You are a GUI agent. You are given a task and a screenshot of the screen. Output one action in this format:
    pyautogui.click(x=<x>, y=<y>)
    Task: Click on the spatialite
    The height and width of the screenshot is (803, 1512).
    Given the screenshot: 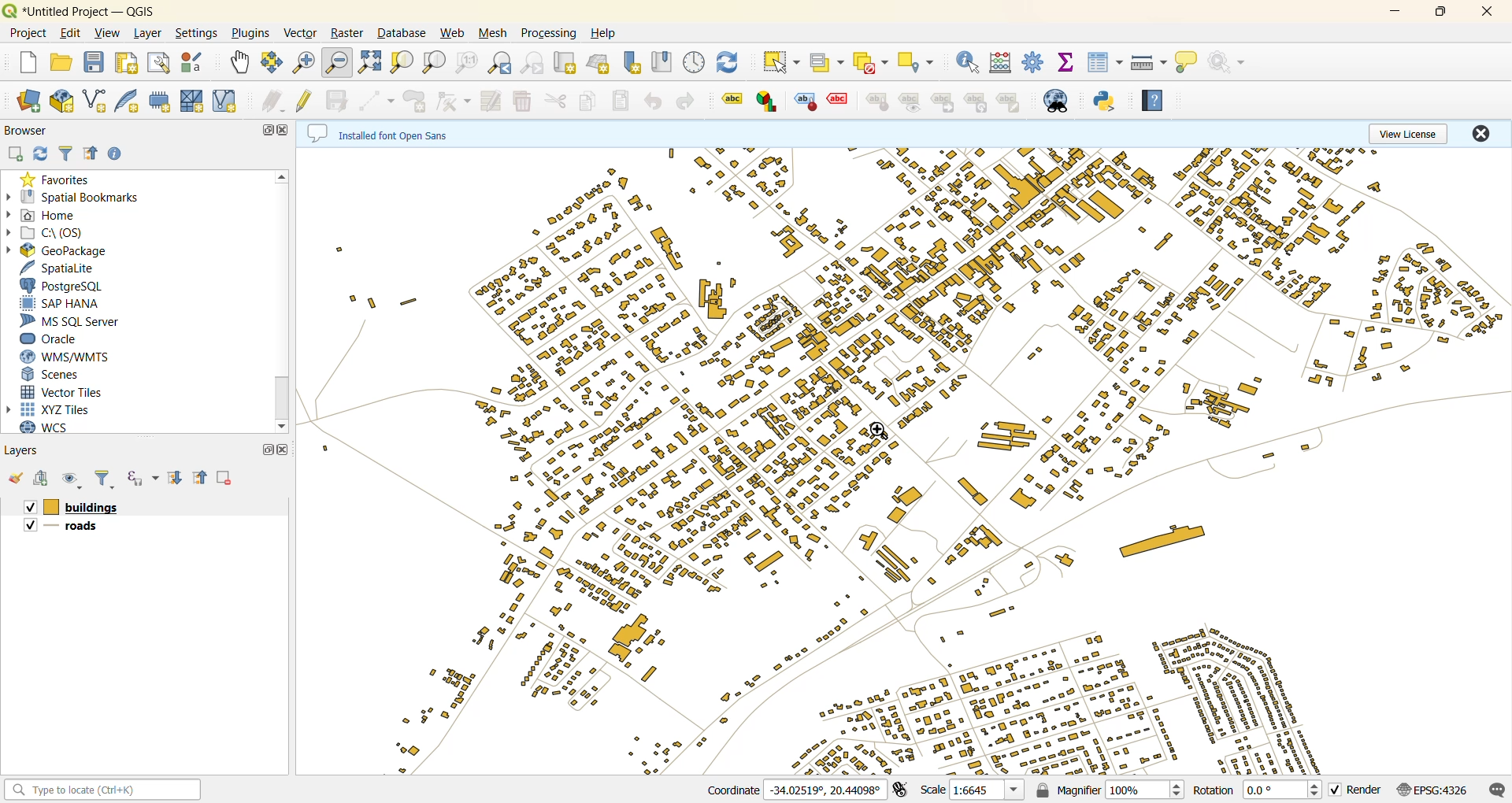 What is the action you would take?
    pyautogui.click(x=64, y=268)
    